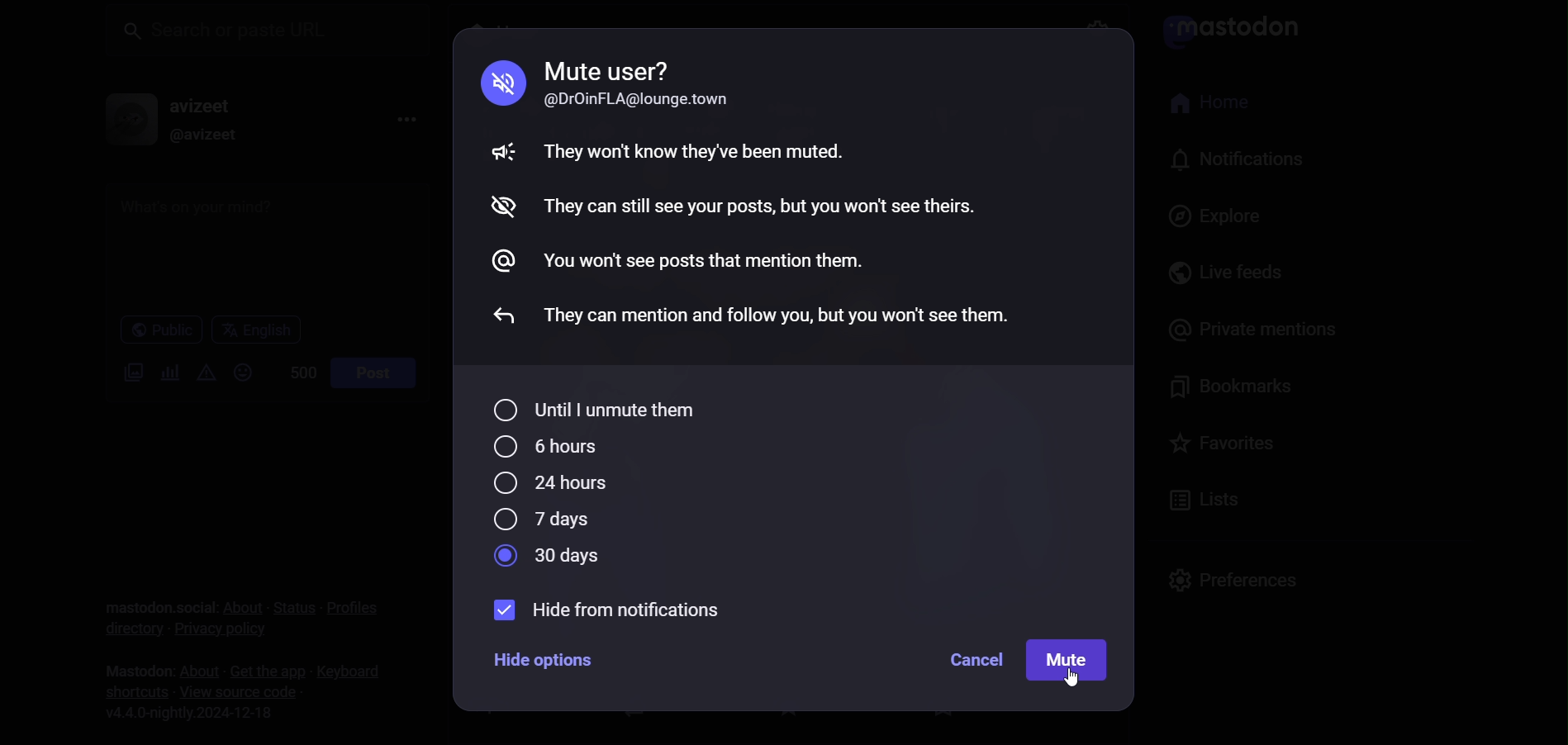 The width and height of the screenshot is (1568, 745). What do you see at coordinates (551, 556) in the screenshot?
I see `30 days selected` at bounding box center [551, 556].